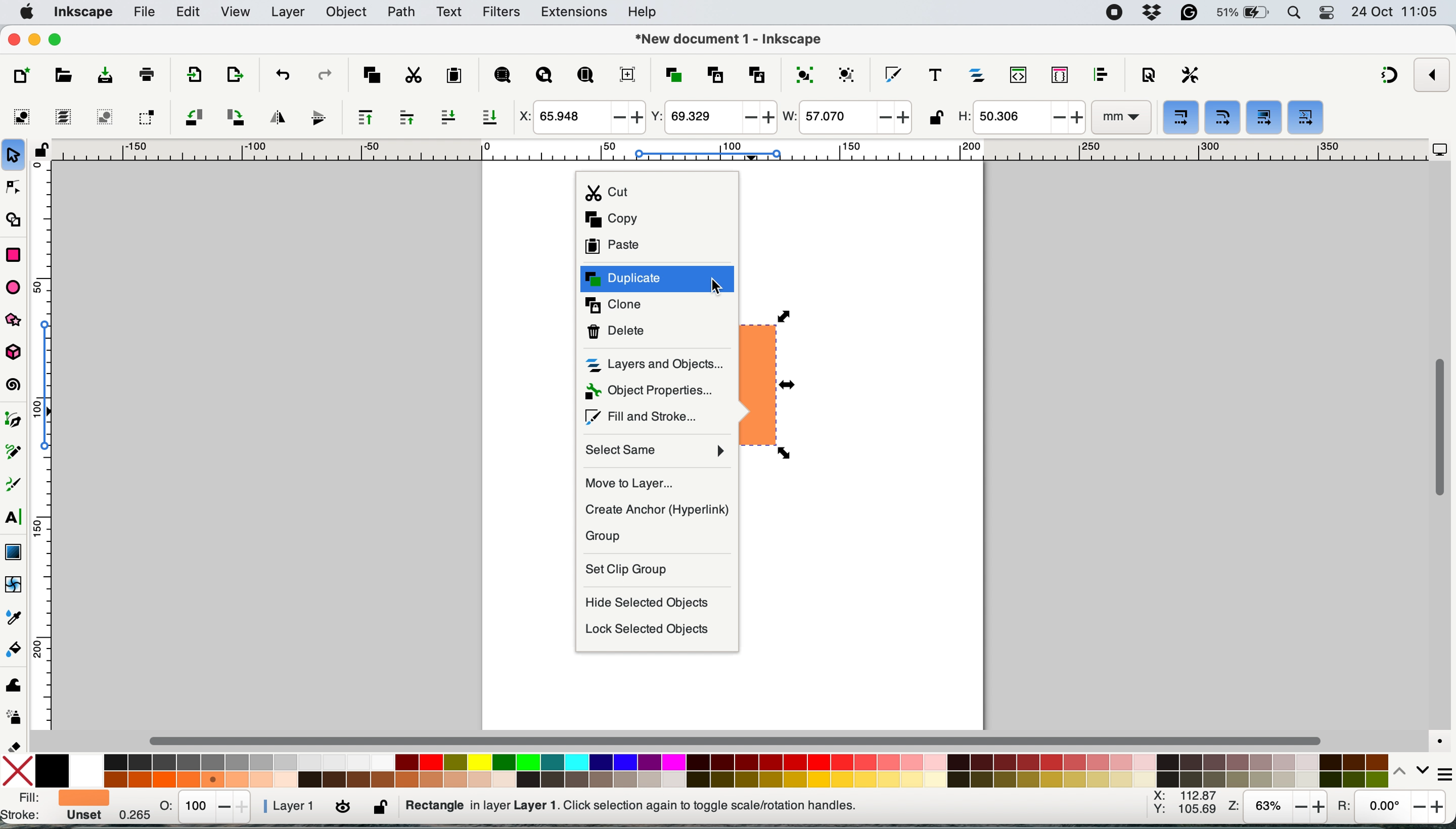  What do you see at coordinates (672, 75) in the screenshot?
I see `duplicate` at bounding box center [672, 75].